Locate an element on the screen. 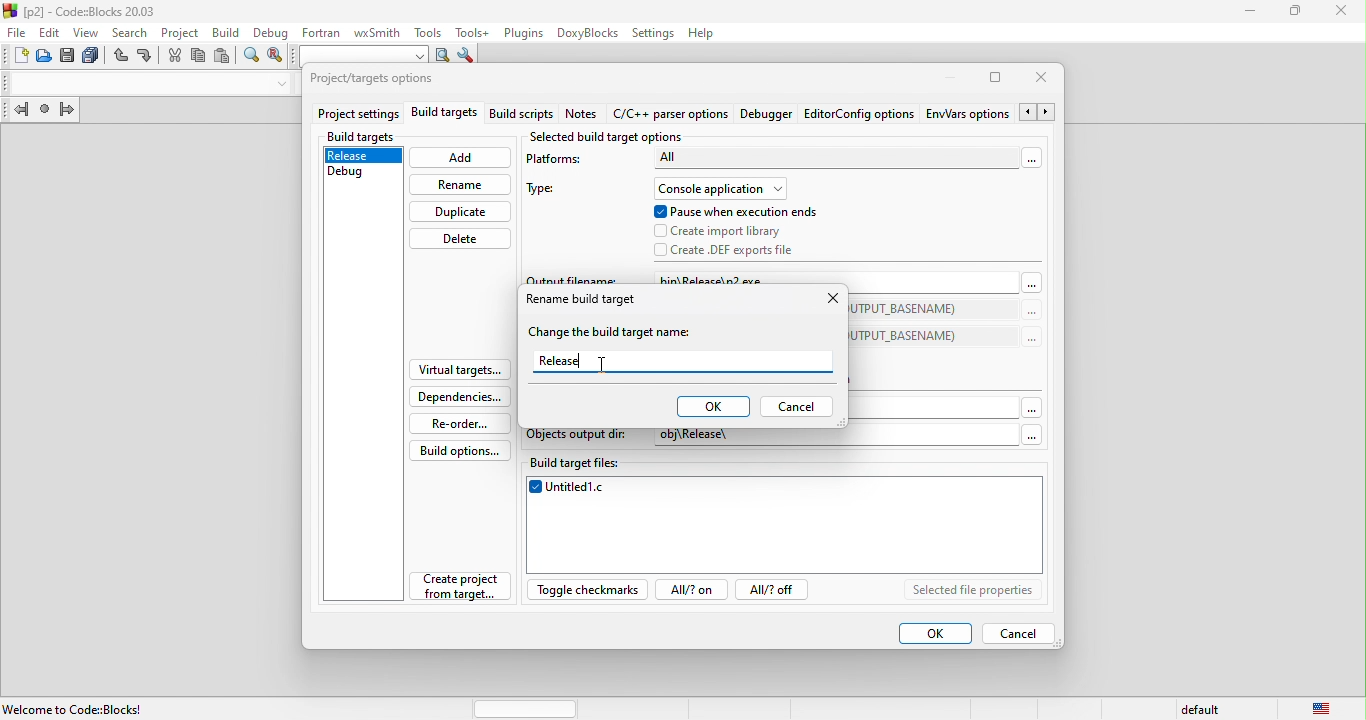 This screenshot has width=1366, height=720. tools is located at coordinates (425, 31).